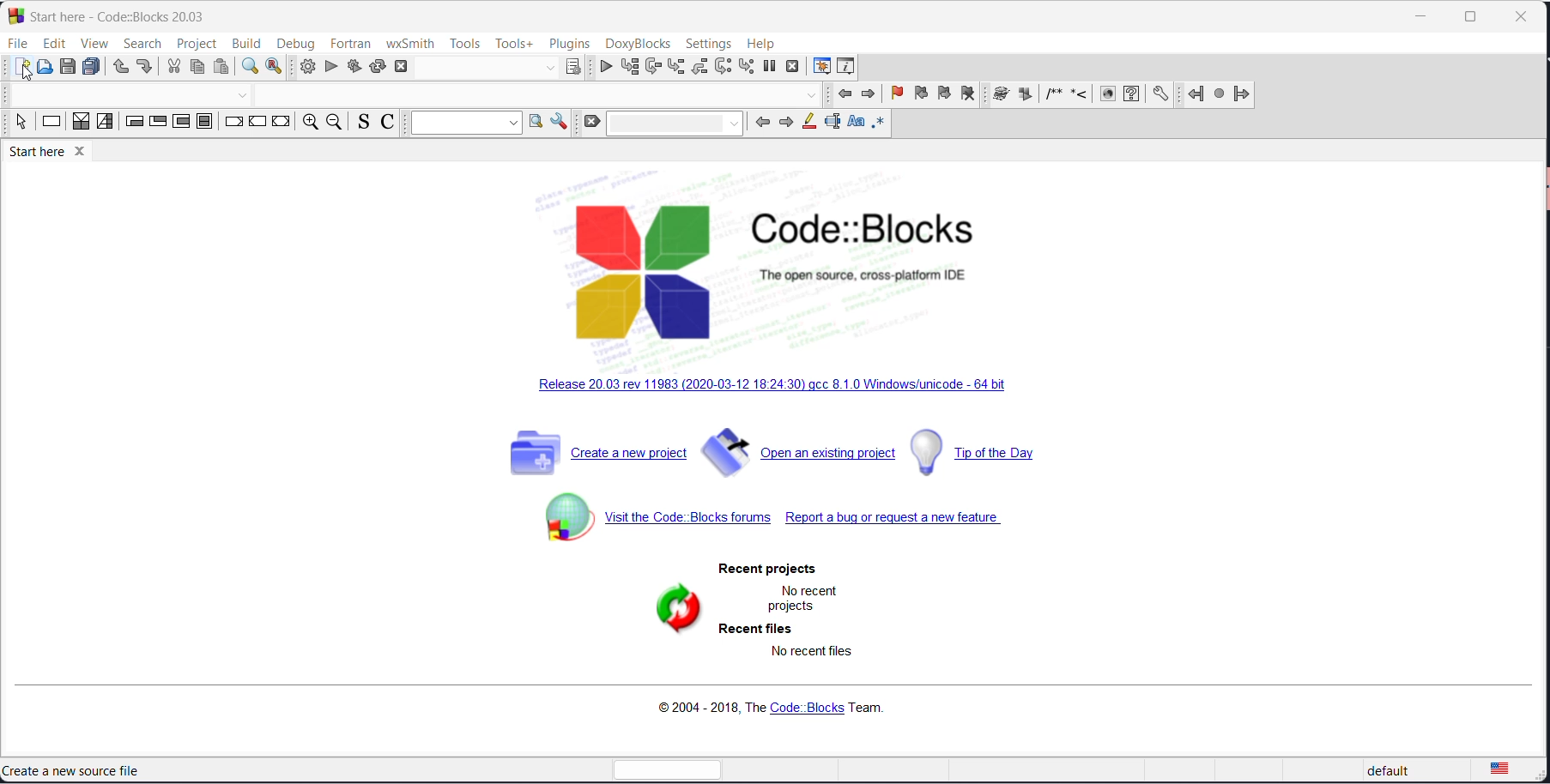 This screenshot has width=1550, height=784. Describe the element at coordinates (159, 124) in the screenshot. I see `exit condition loop` at that location.